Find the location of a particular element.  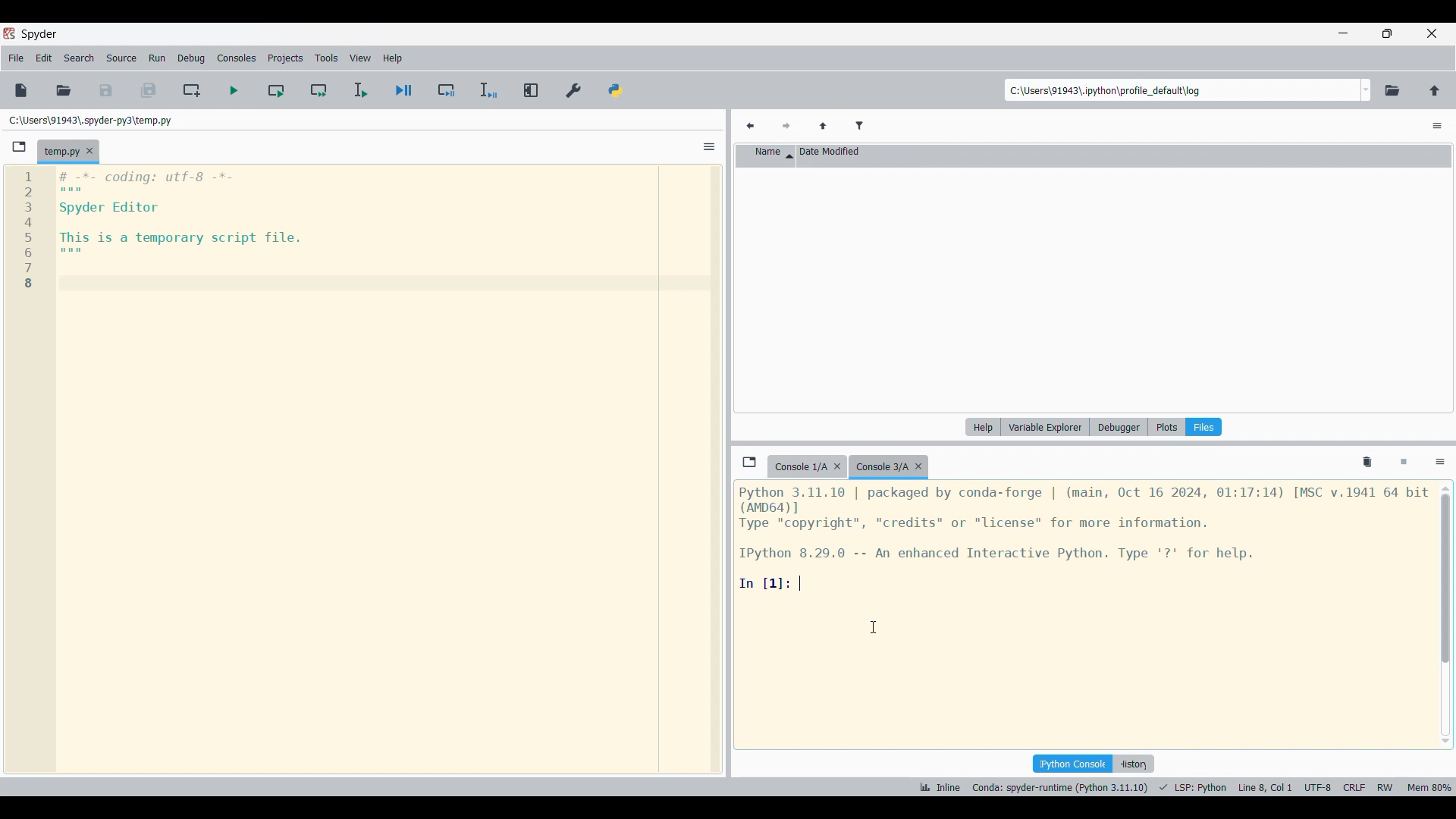

Debug cell is located at coordinates (447, 89).